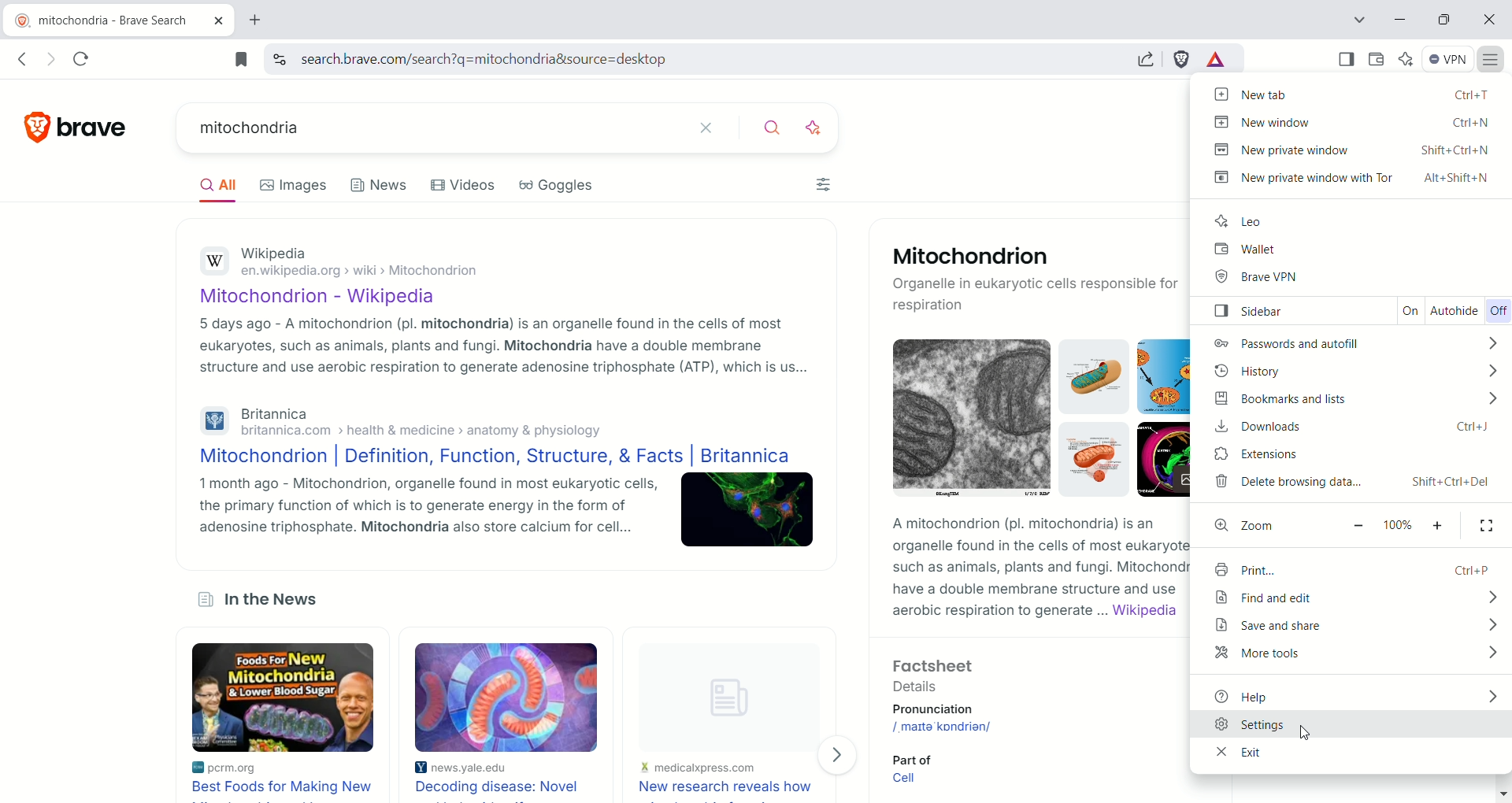 Image resolution: width=1512 pixels, height=803 pixels. What do you see at coordinates (96, 127) in the screenshot?
I see `brave` at bounding box center [96, 127].